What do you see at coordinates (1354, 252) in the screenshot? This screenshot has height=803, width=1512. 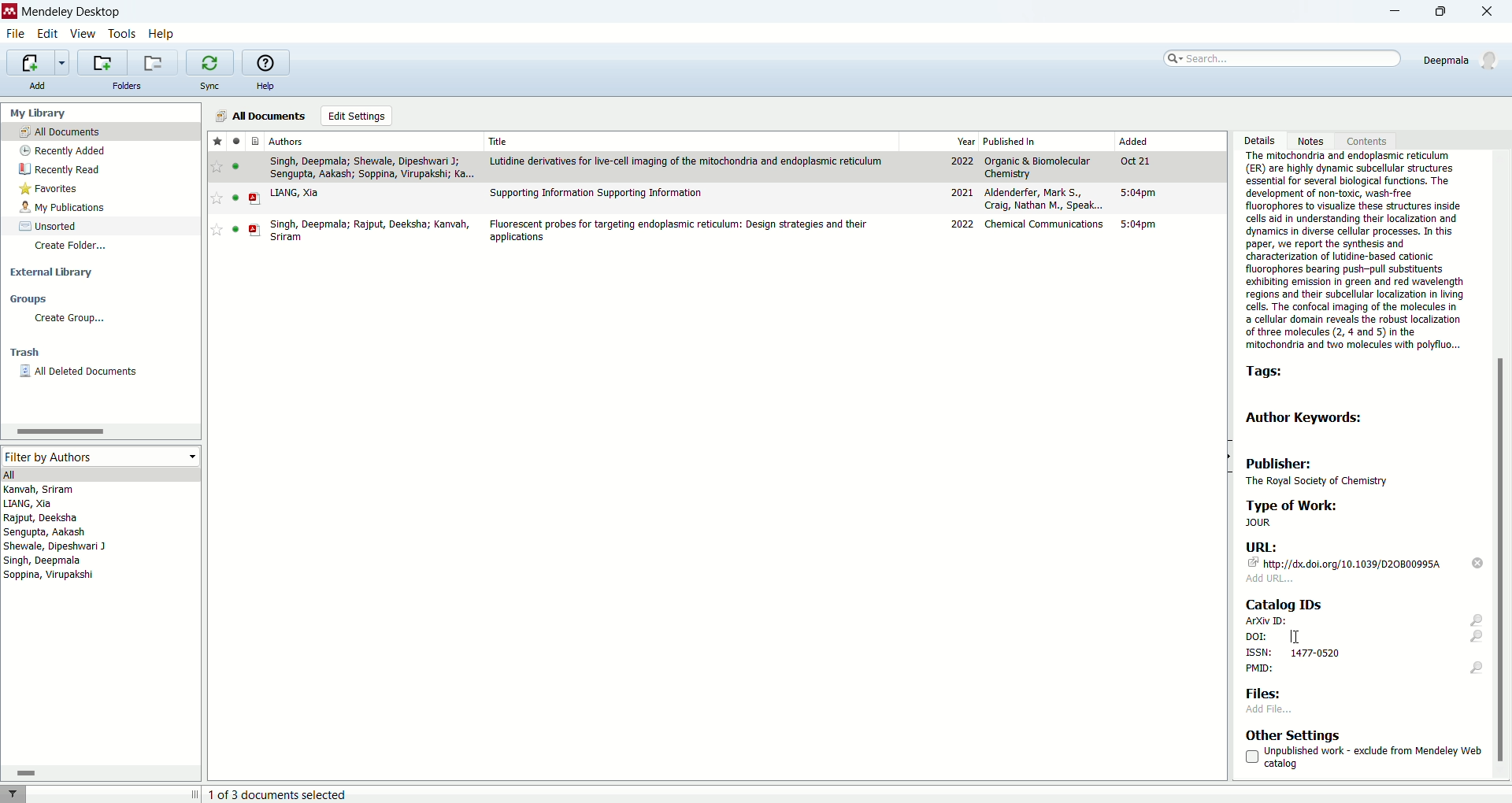 I see `Abstract:The mitochondria and endoplasmic reticulum(ER) are highly dynamic subcellular structures essential for several biological functions. The development of non-toxic, wash-free fluorophores to visualize these structures inside cells aid in understanding their localization and dynamics in diverse cellular processes. In this paper, we report the synthesis and characterization of lutidine-based cationic fluorophores bearing push-pull substituents exhibiting emission in green and red wavelength regions and their subcellular localization in living cells. The confocal imaging of the molecules in a cellular domain reveals the robust localization of three molecules (2, 4 and 5) in the mitochondria and two molecules with polyfluo` at bounding box center [1354, 252].